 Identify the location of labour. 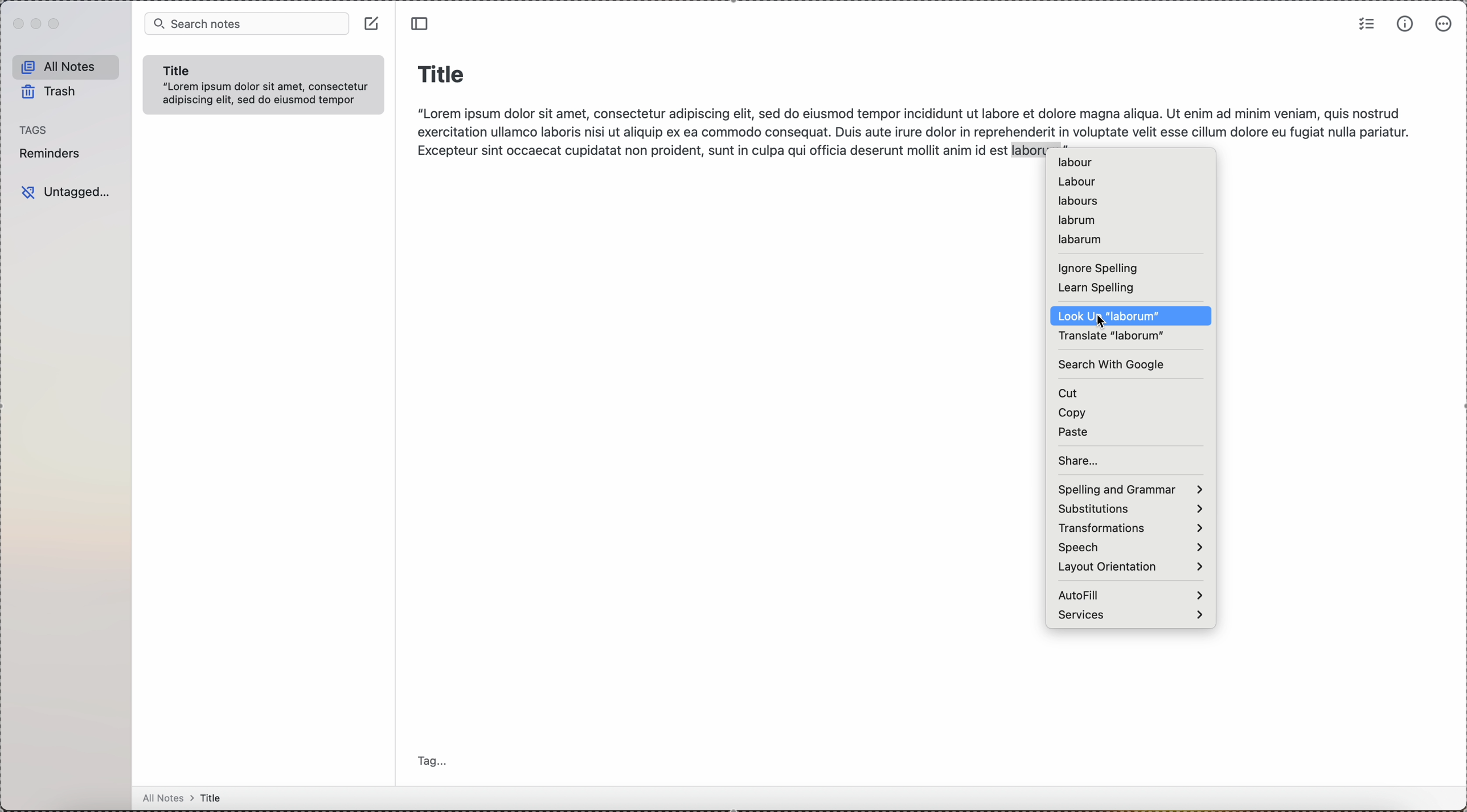
(1075, 161).